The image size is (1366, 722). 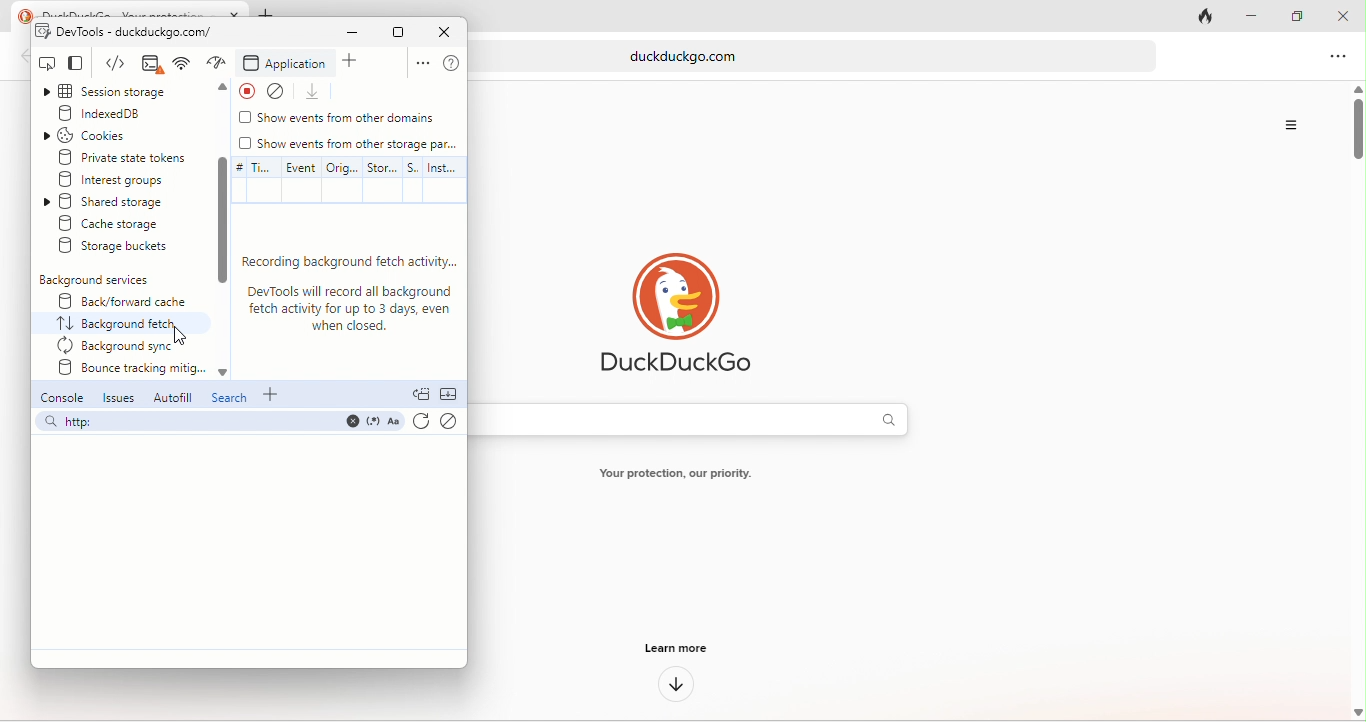 What do you see at coordinates (120, 346) in the screenshot?
I see `background sync` at bounding box center [120, 346].